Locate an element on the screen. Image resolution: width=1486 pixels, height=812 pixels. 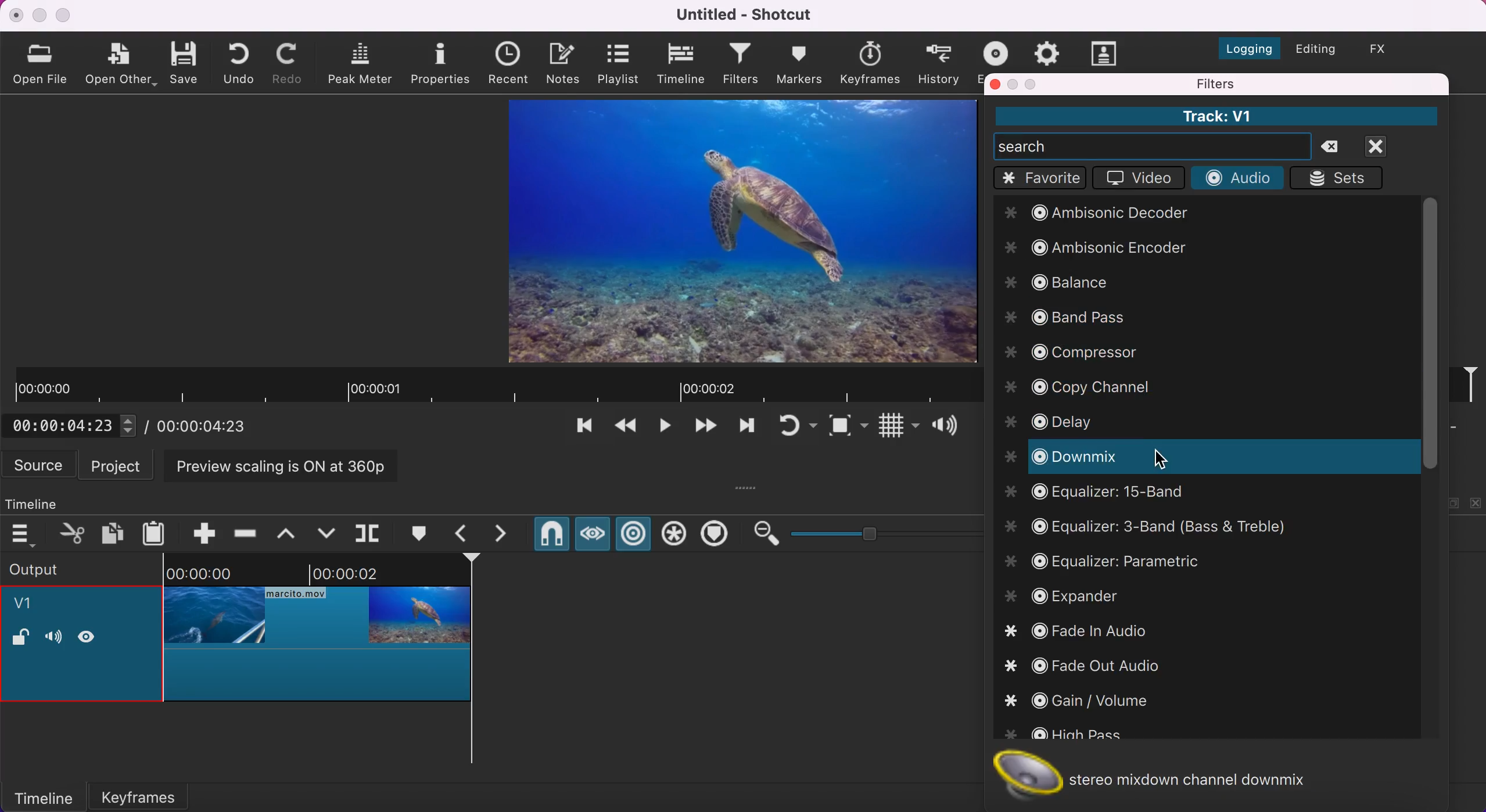
overwrite is located at coordinates (326, 532).